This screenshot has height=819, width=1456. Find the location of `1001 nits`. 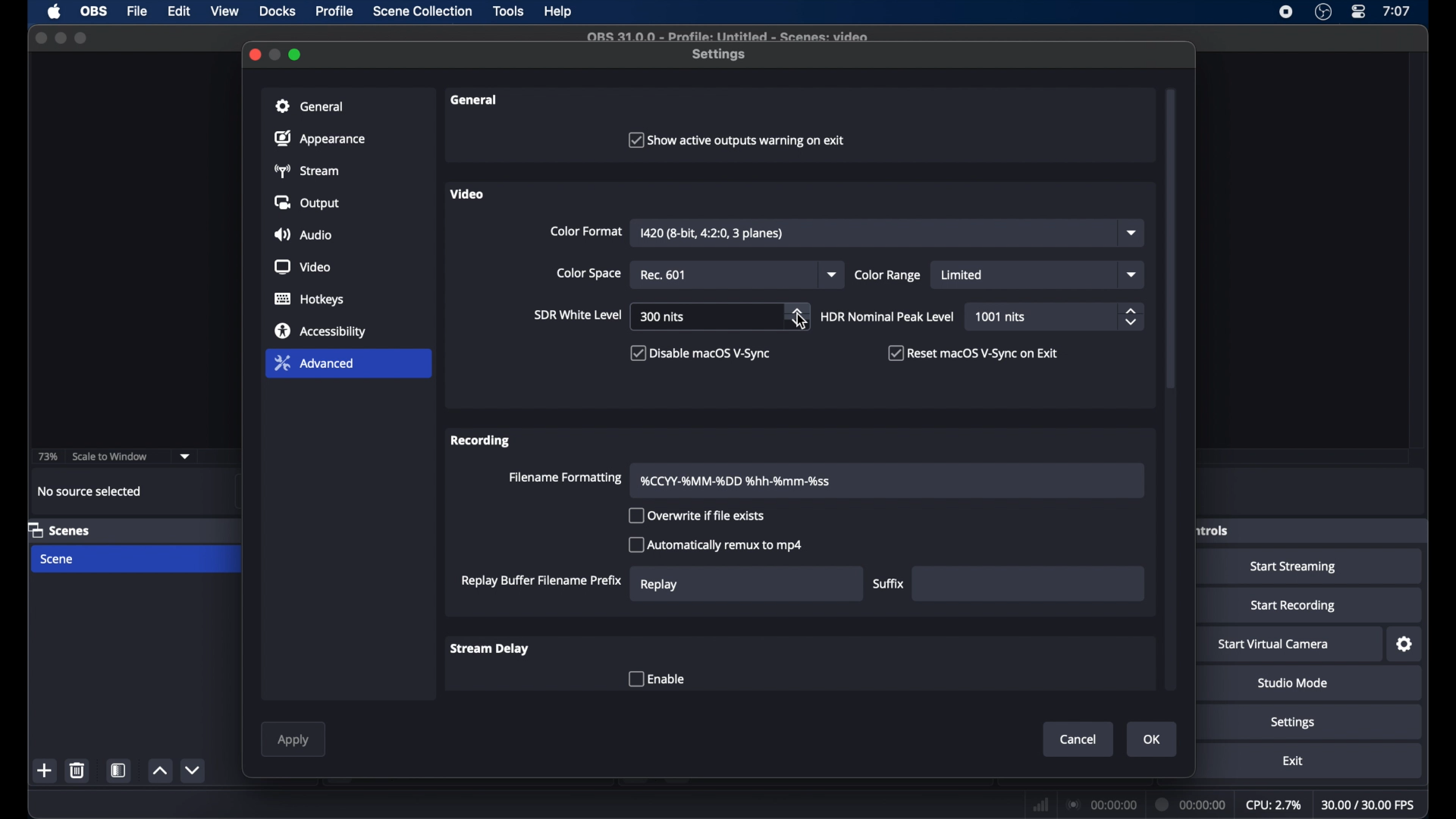

1001 nits is located at coordinates (1002, 316).